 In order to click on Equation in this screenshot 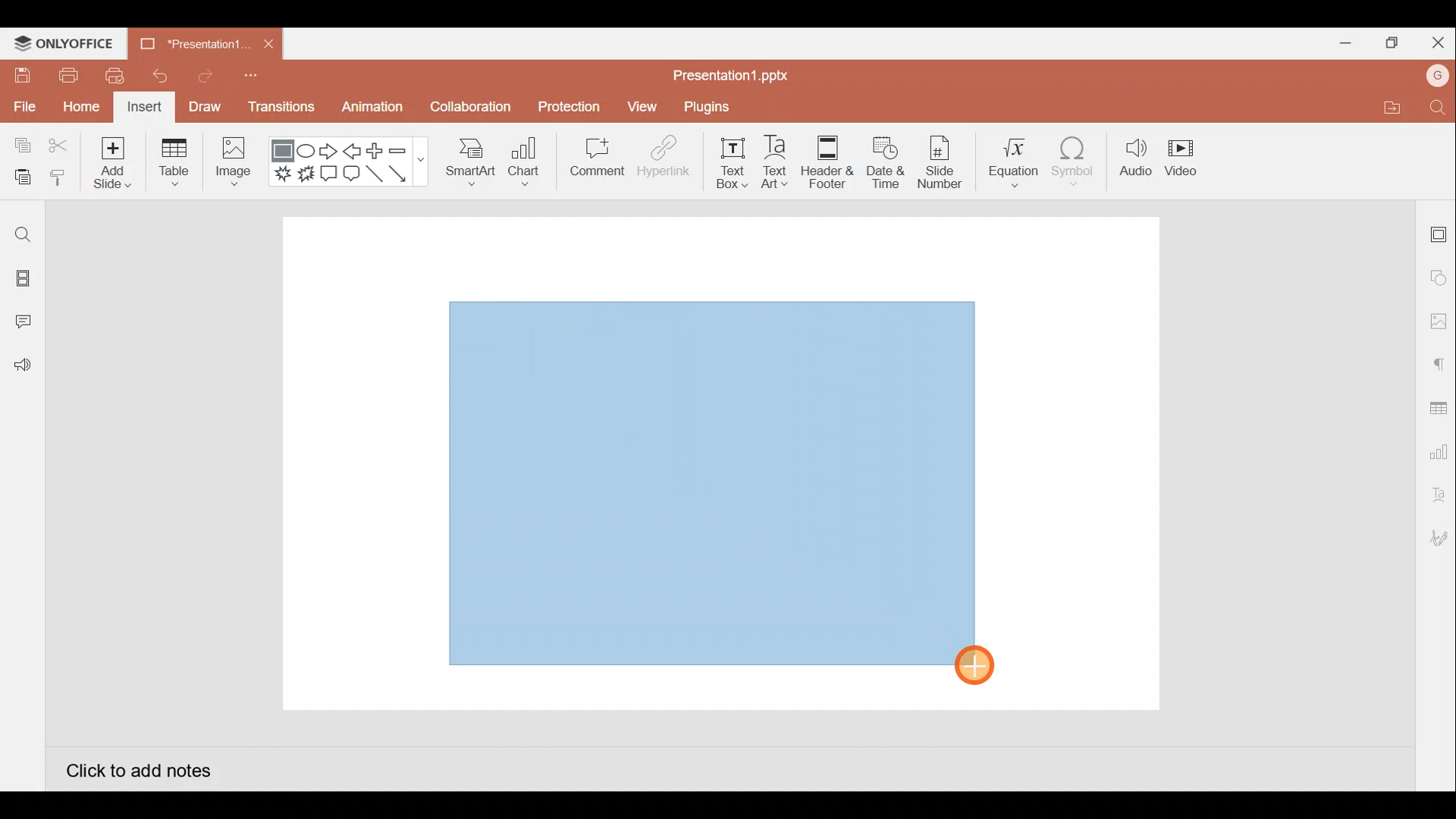, I will do `click(1015, 157)`.